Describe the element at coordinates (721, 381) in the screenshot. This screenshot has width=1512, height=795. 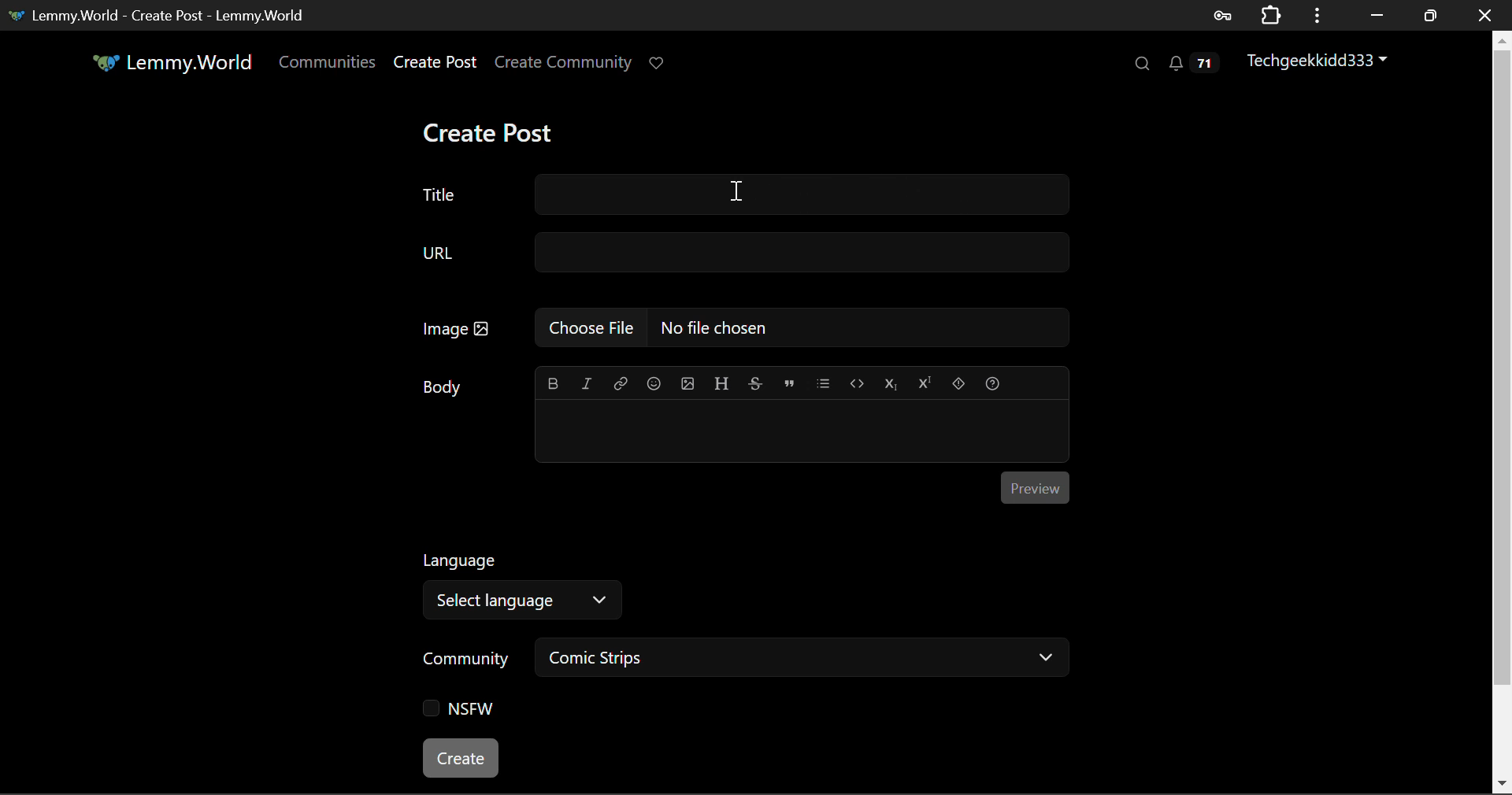
I see `header` at that location.